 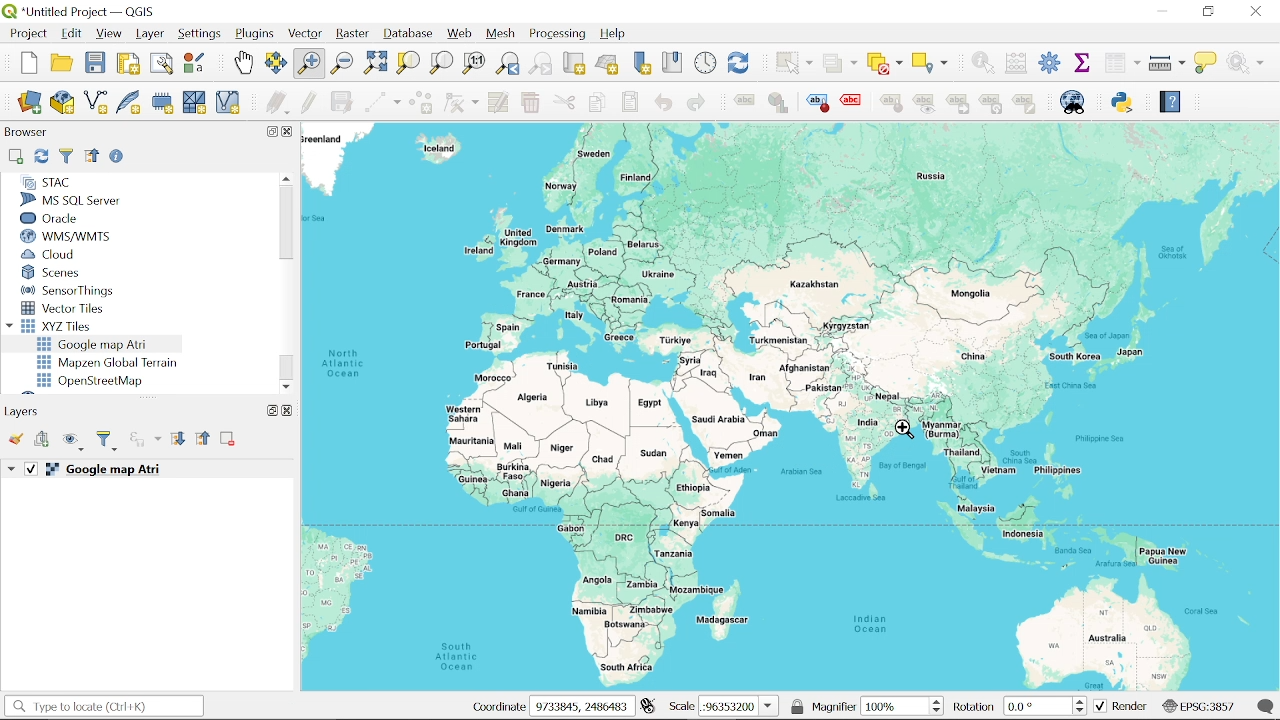 What do you see at coordinates (1257, 12) in the screenshot?
I see `Close` at bounding box center [1257, 12].